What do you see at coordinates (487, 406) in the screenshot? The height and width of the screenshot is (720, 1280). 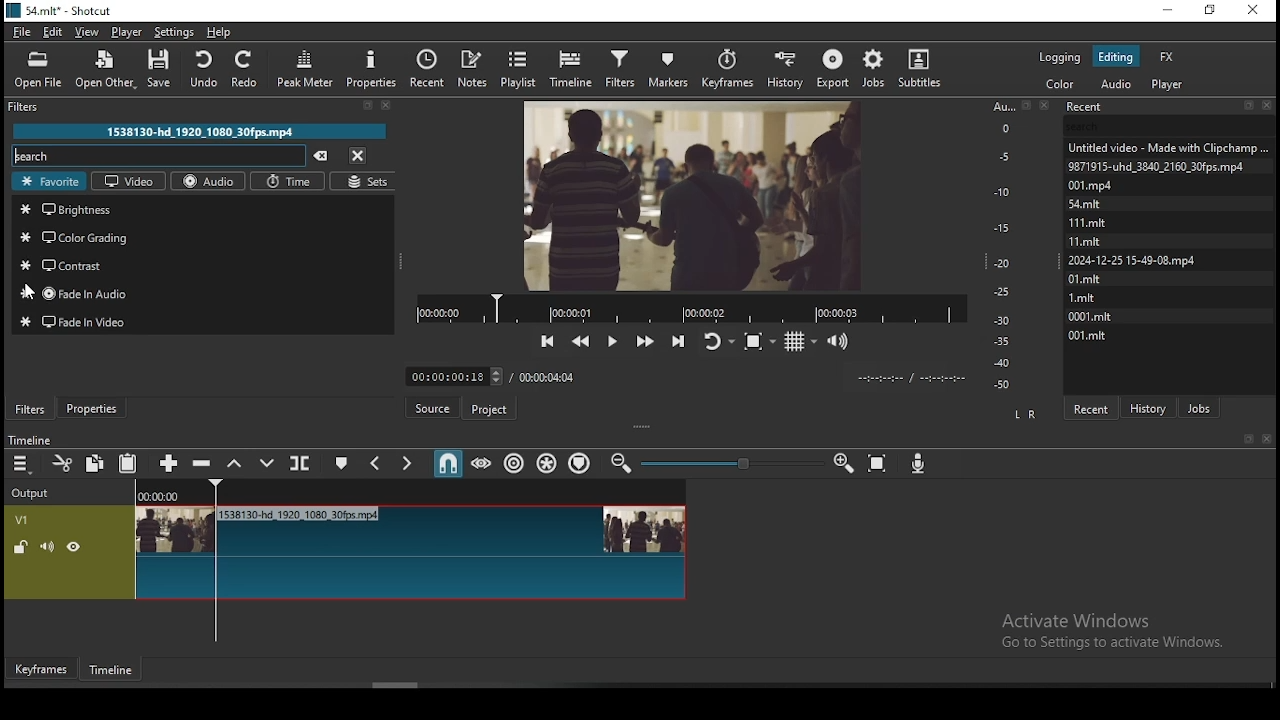 I see `project` at bounding box center [487, 406].